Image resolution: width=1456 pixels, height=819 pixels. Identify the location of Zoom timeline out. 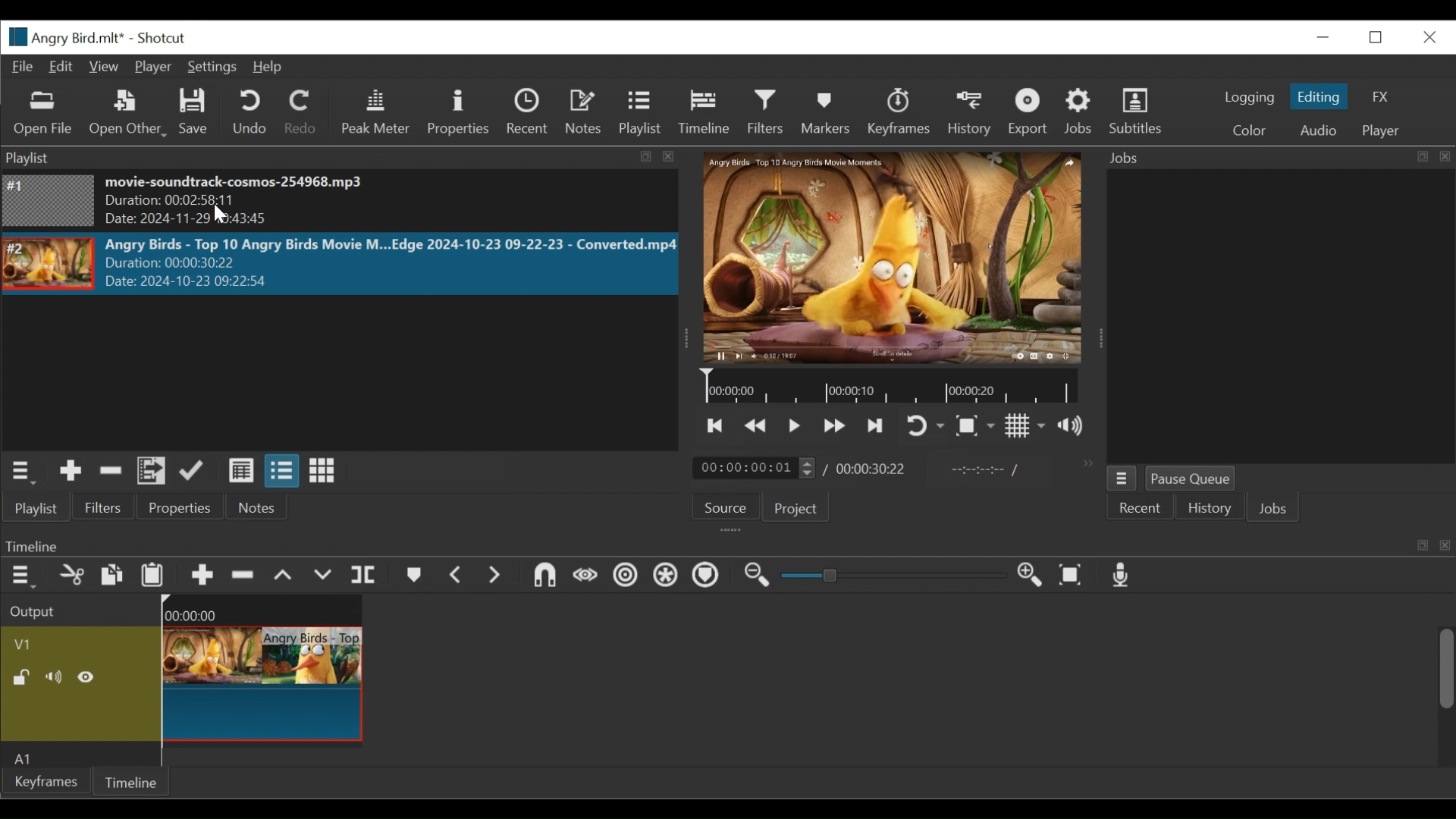
(761, 576).